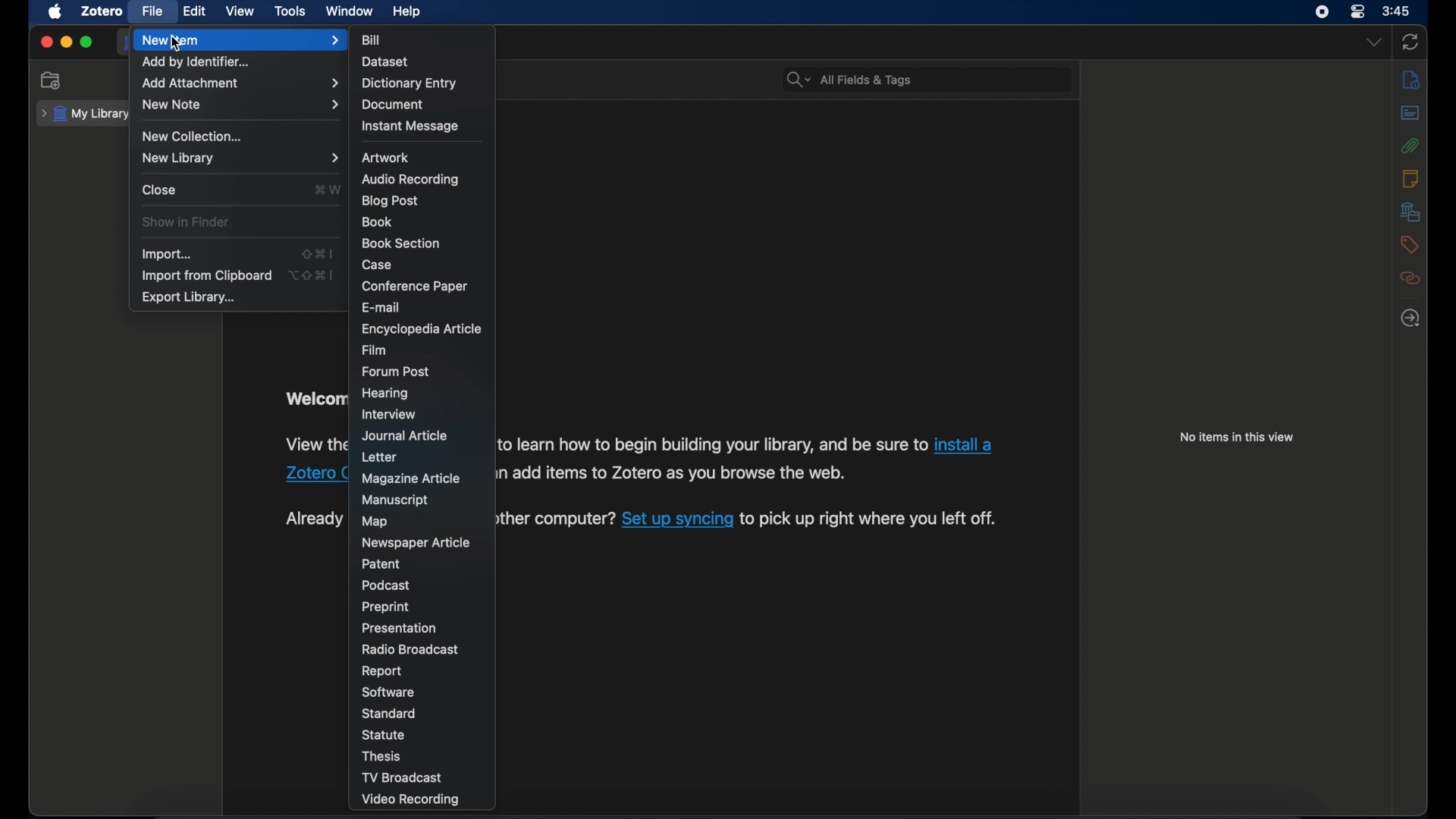  Describe the element at coordinates (319, 253) in the screenshot. I see `shortcut` at that location.